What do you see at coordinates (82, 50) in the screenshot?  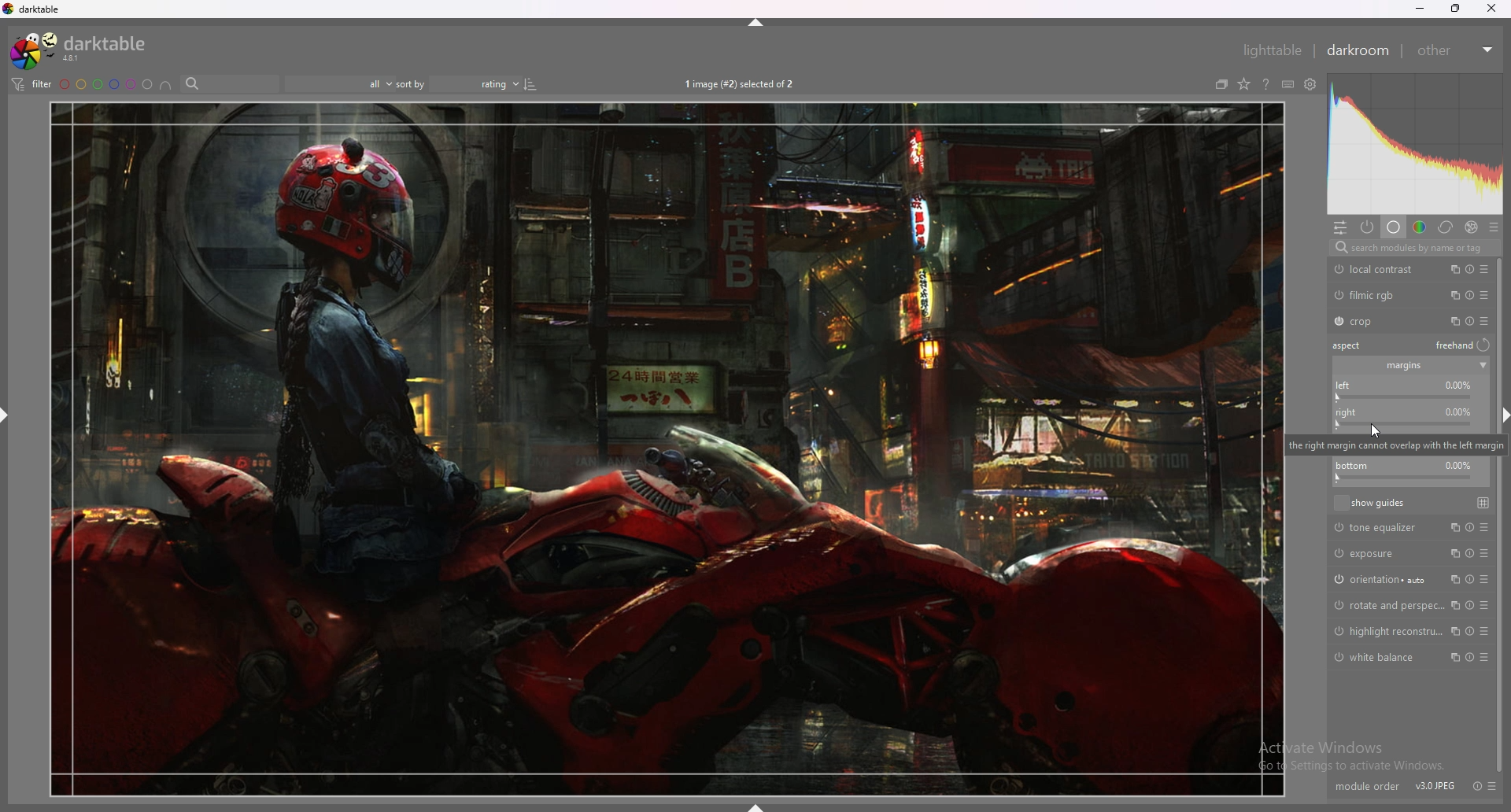 I see `darktable` at bounding box center [82, 50].